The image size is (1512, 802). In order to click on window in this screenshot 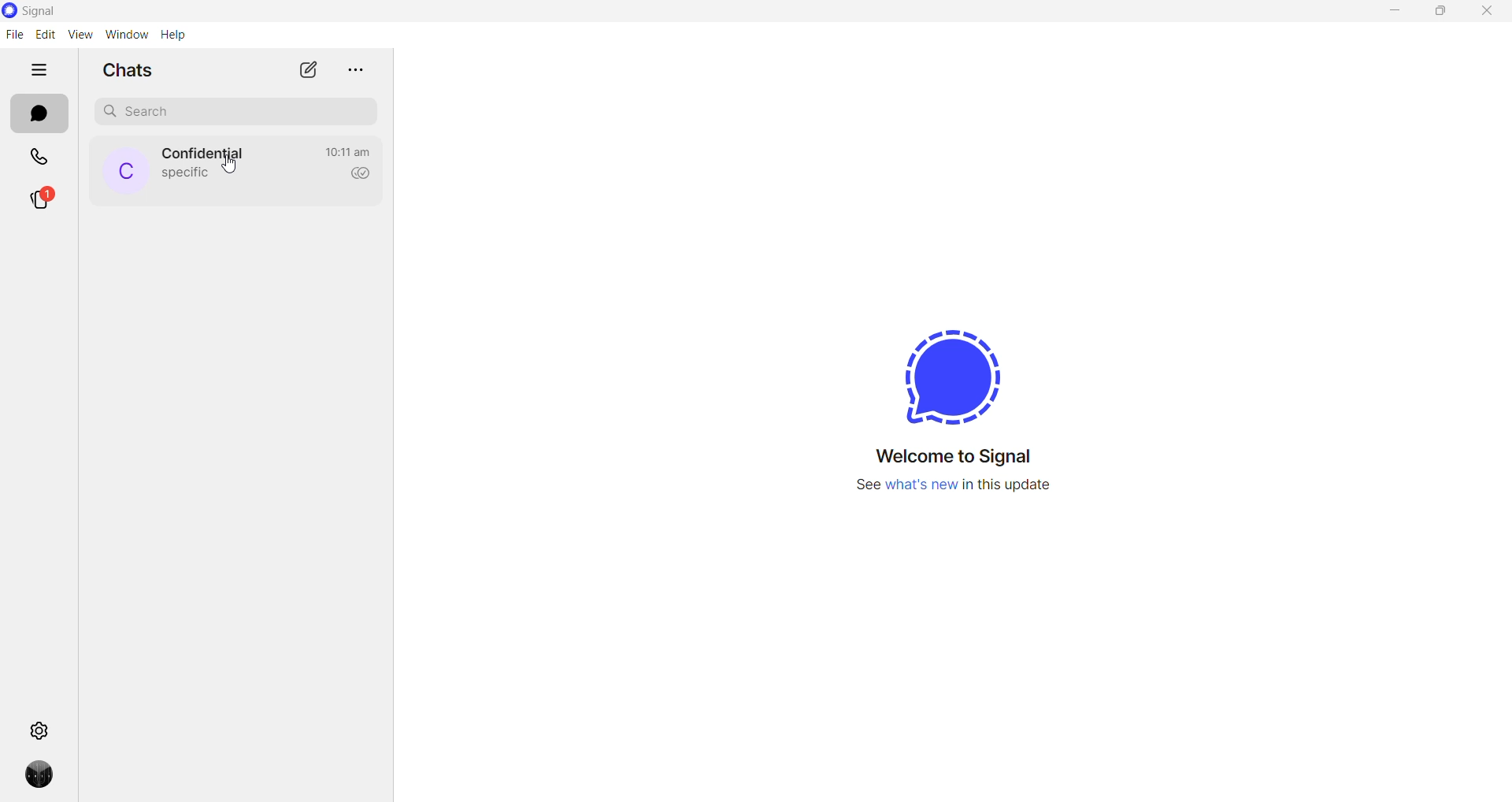, I will do `click(127, 35)`.